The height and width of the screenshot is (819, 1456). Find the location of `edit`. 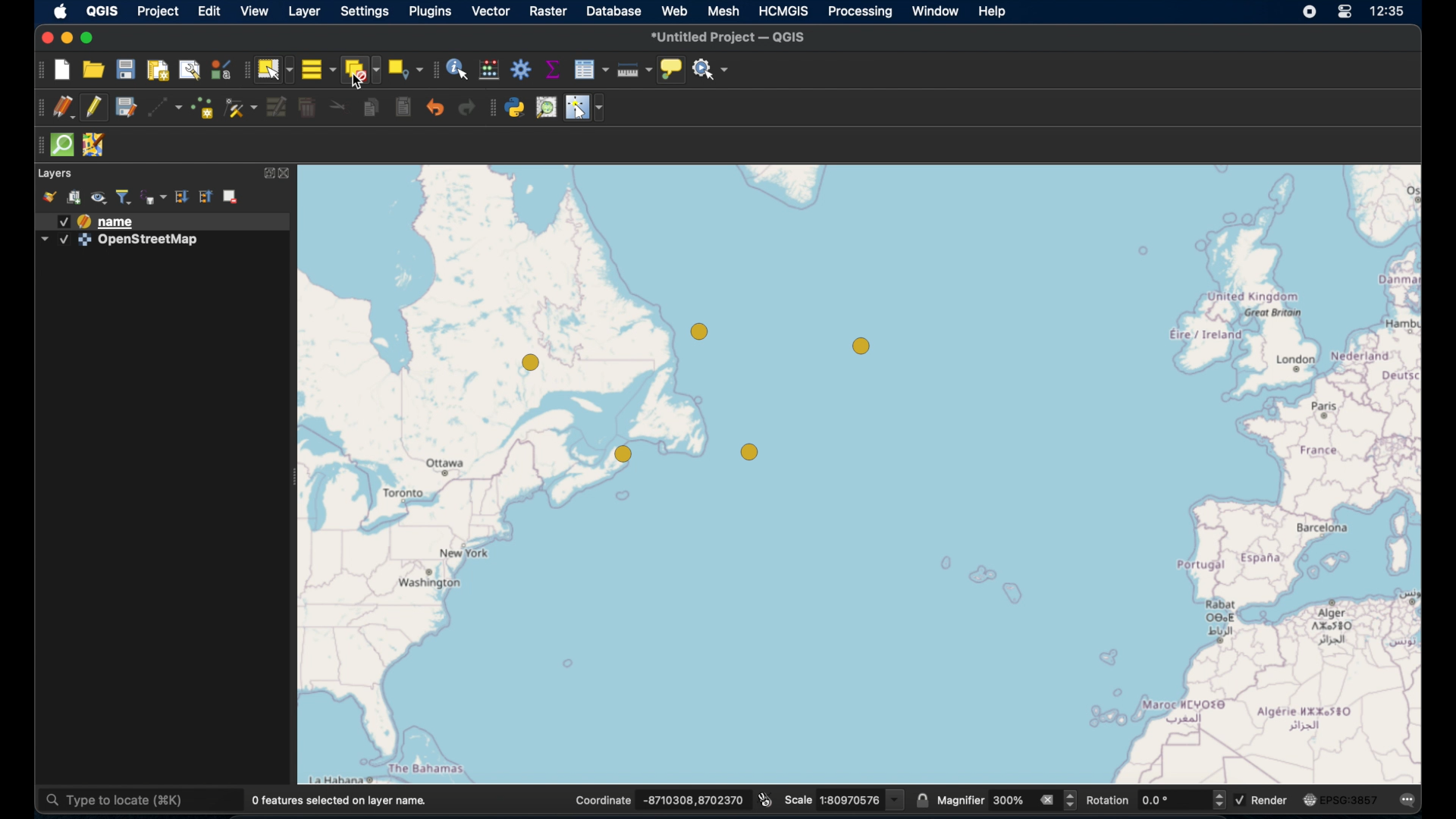

edit is located at coordinates (209, 13).